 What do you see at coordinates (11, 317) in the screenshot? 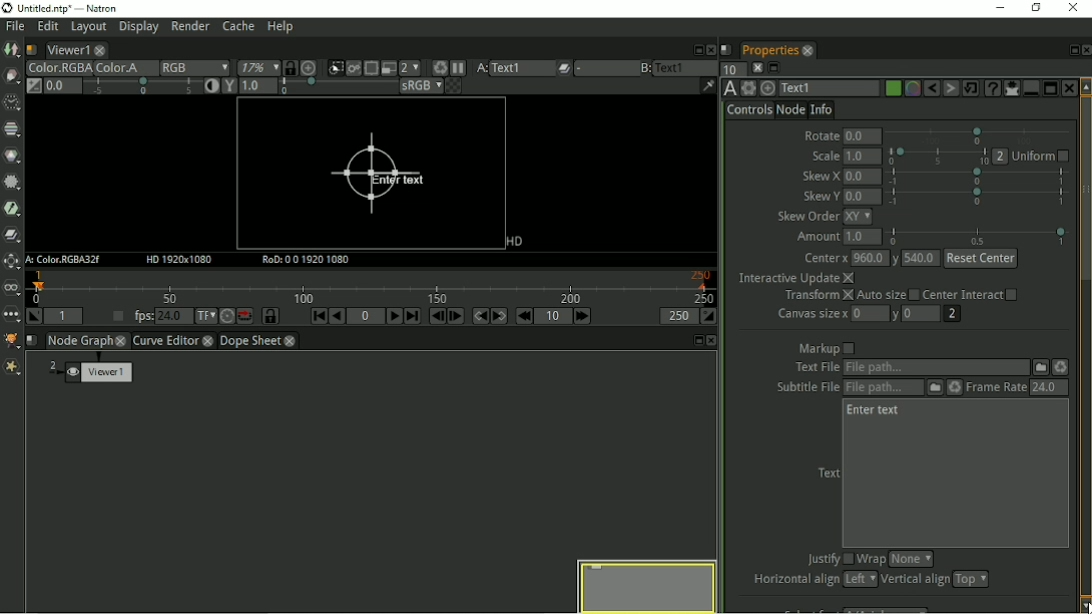
I see `Other` at bounding box center [11, 317].